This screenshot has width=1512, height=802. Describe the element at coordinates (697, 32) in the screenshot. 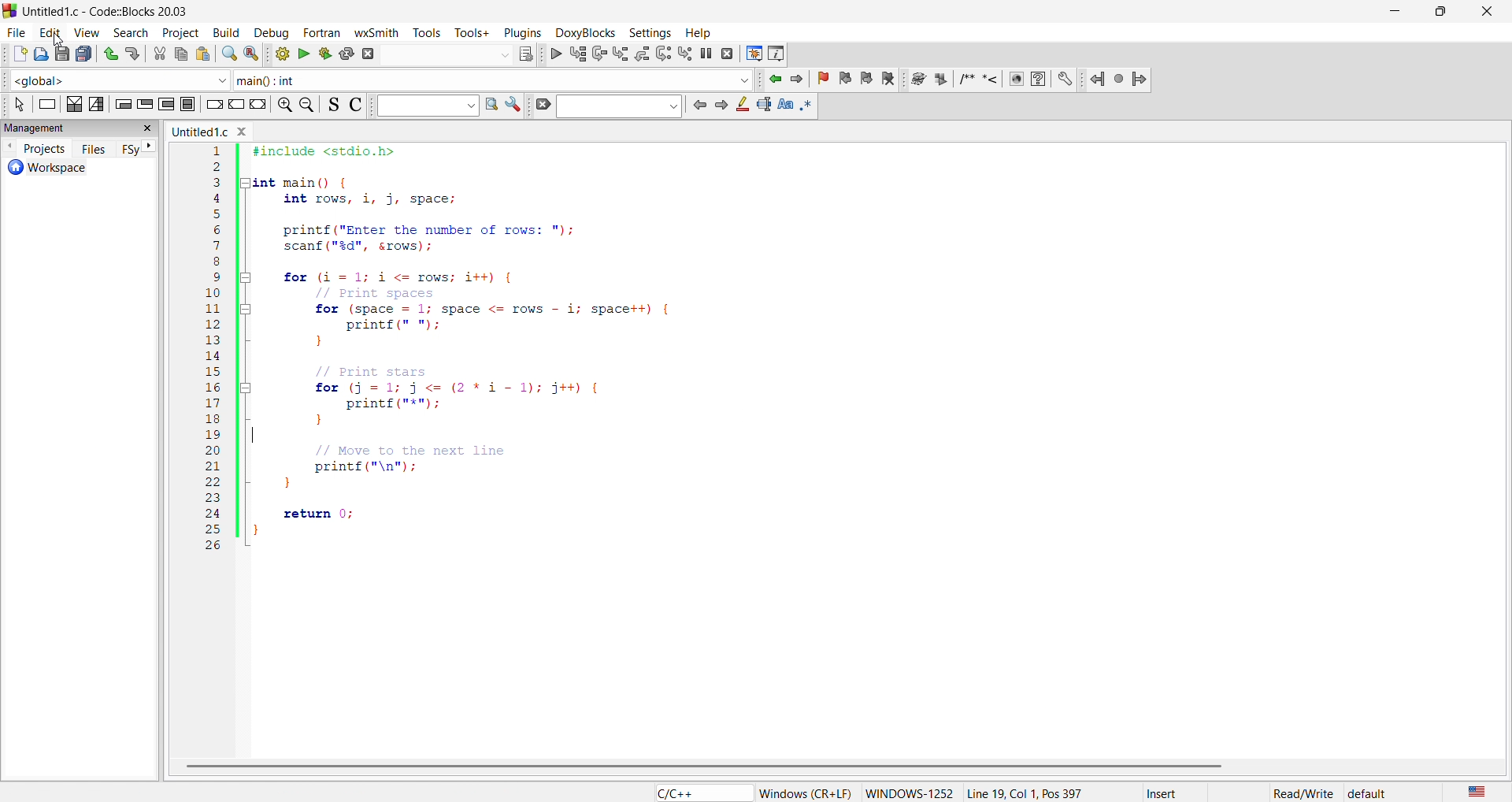

I see `help` at that location.